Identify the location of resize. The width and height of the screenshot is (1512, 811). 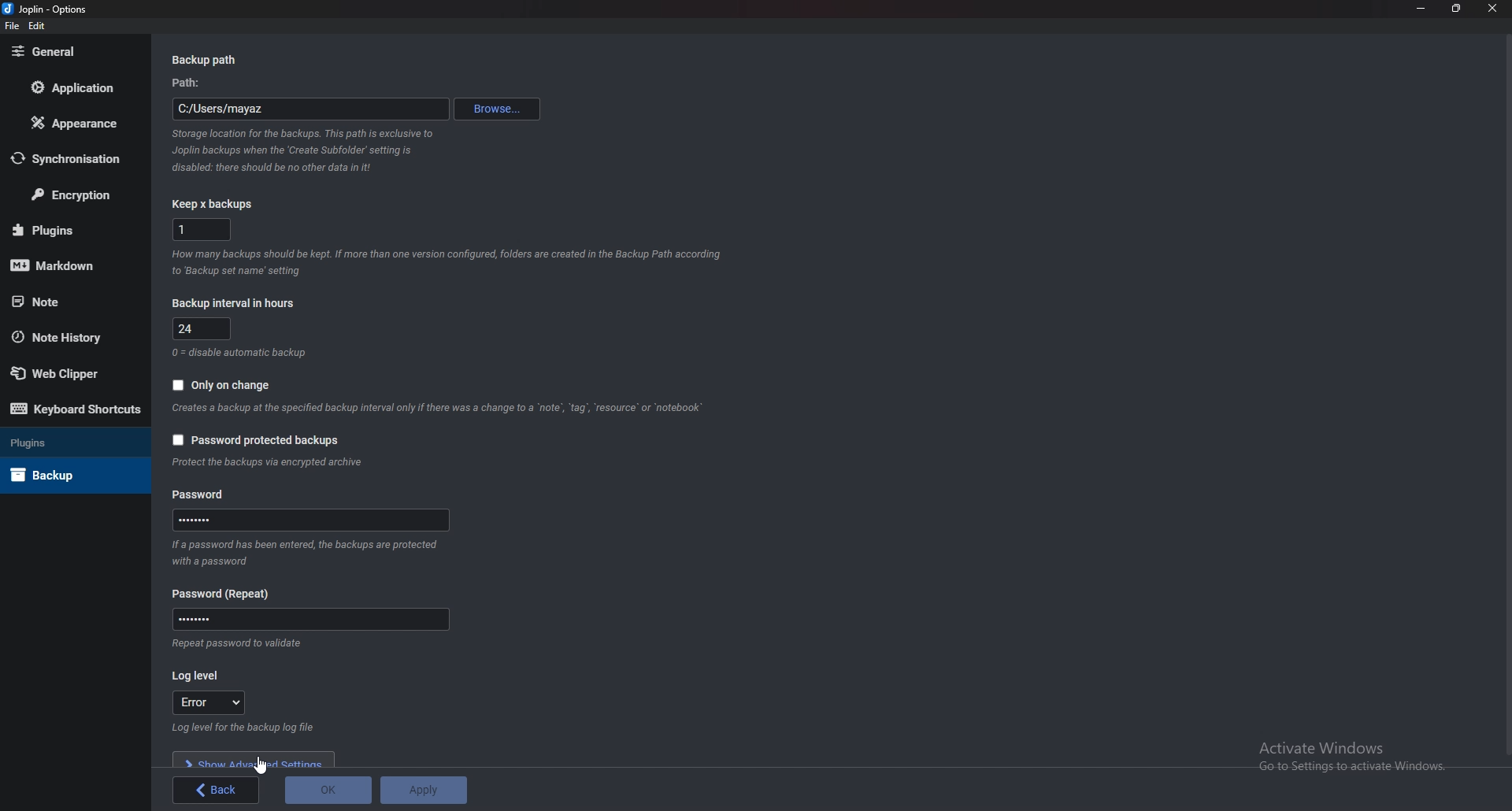
(1458, 8).